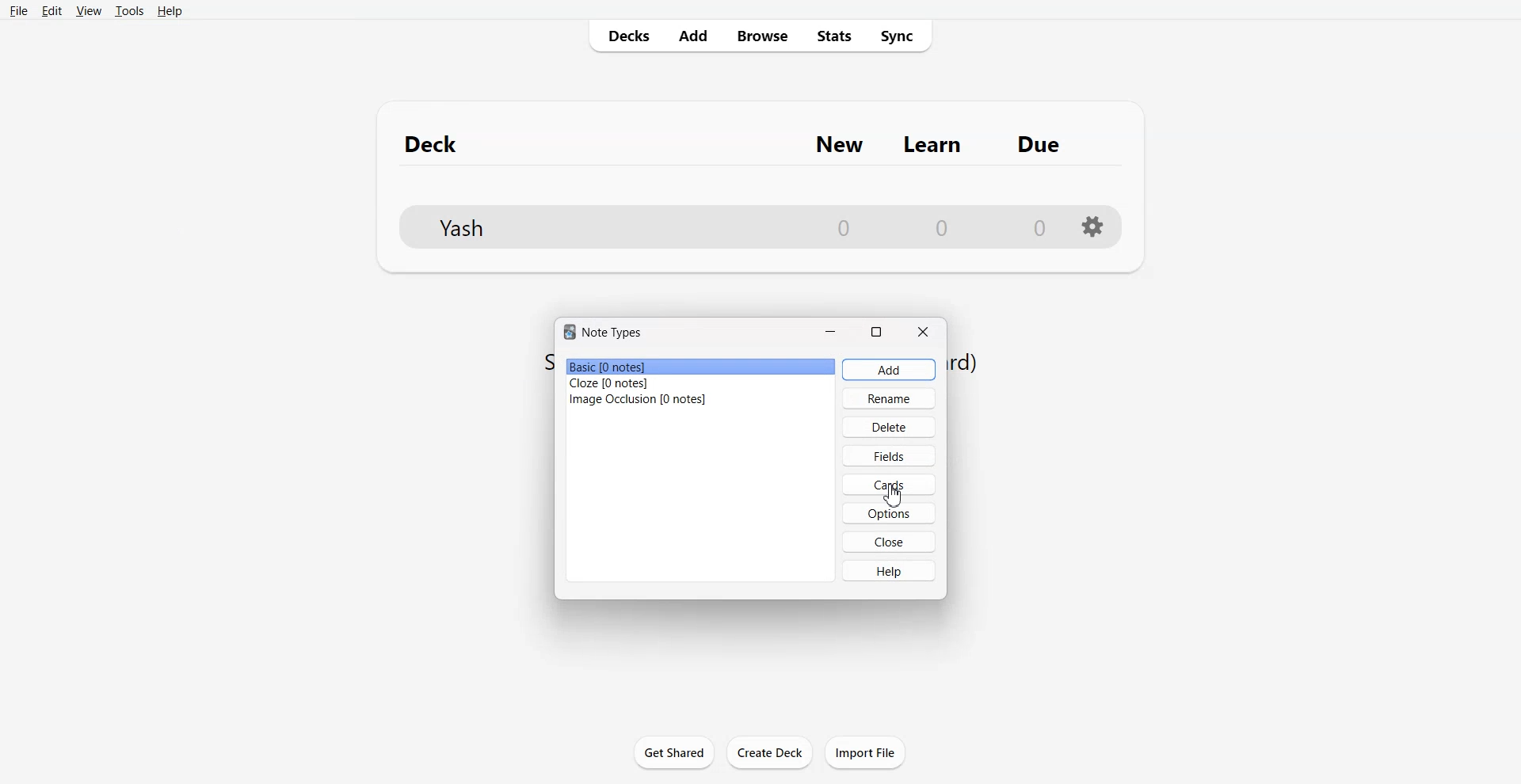  I want to click on Cloze, so click(701, 383).